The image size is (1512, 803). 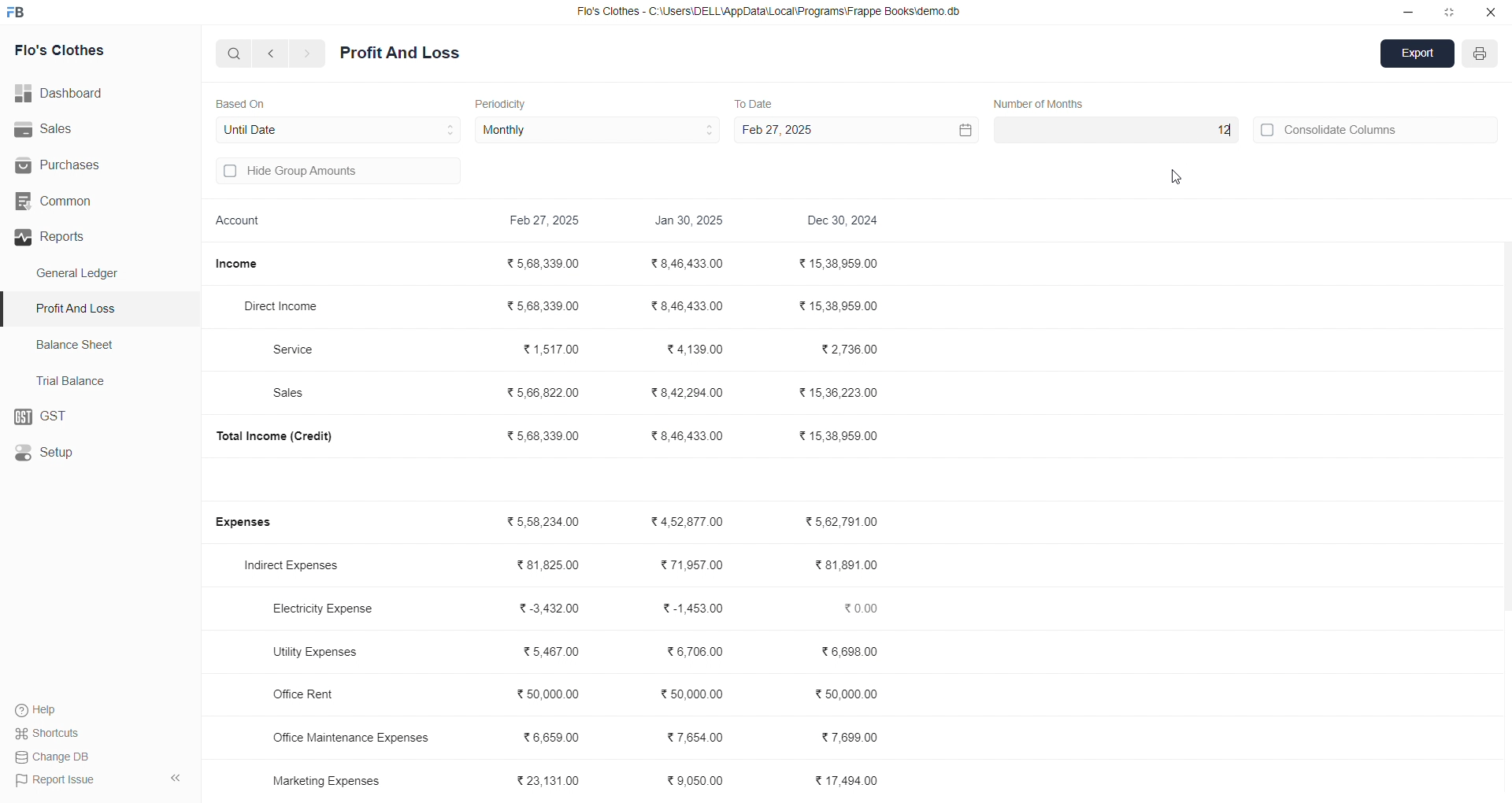 I want to click on ₹ 7,654.00, so click(x=695, y=736).